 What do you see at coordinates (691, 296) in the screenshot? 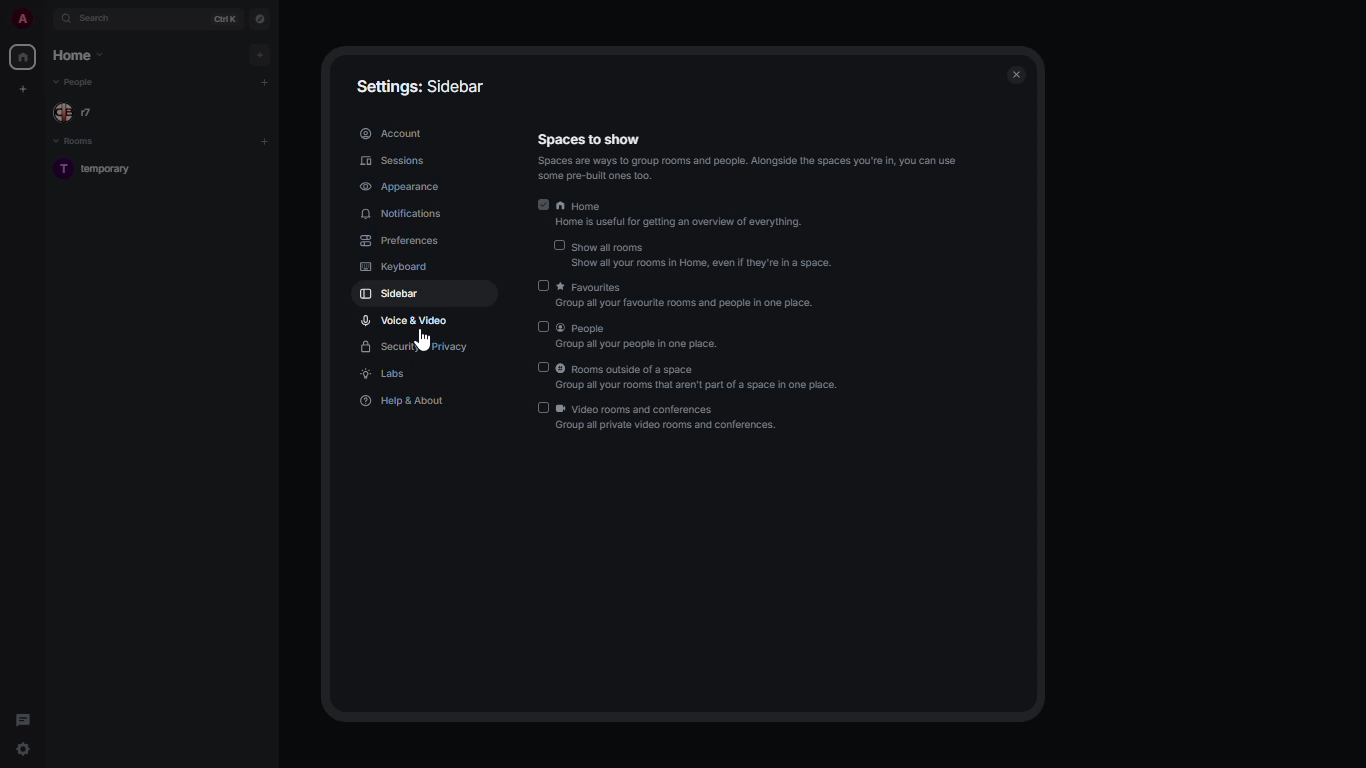
I see `favorites` at bounding box center [691, 296].